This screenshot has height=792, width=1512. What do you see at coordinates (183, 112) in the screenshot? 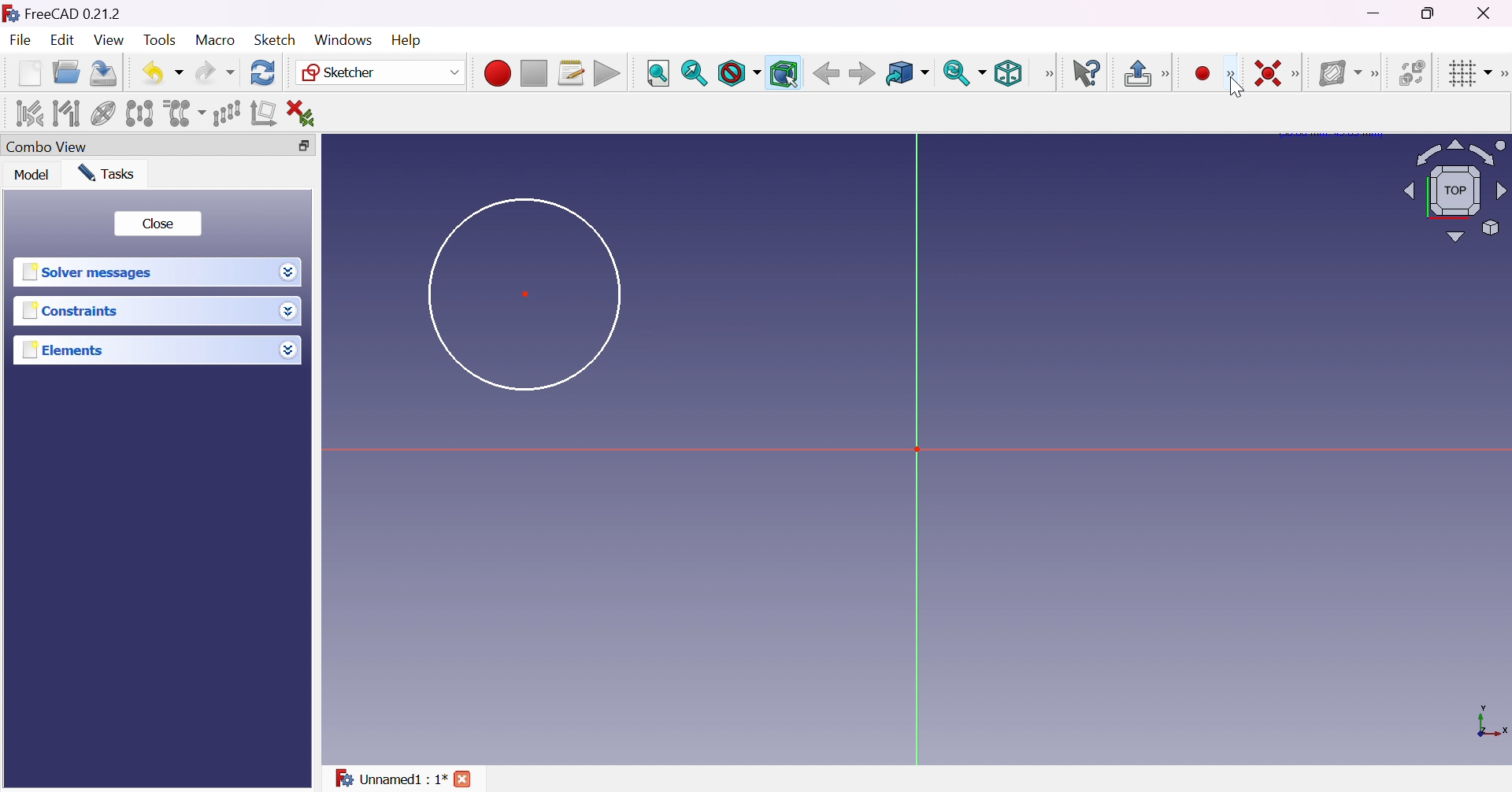
I see `Clone` at bounding box center [183, 112].